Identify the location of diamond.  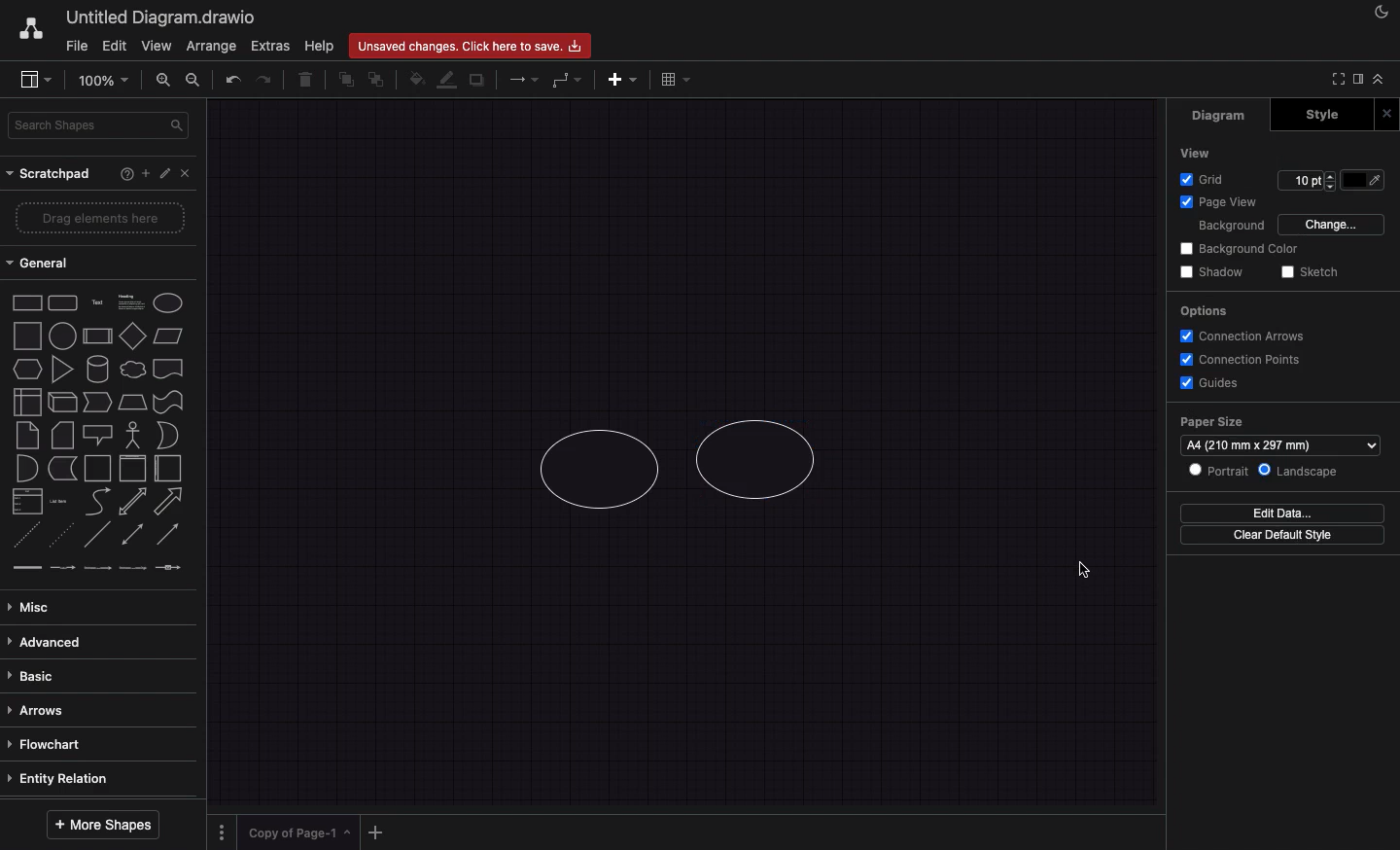
(134, 336).